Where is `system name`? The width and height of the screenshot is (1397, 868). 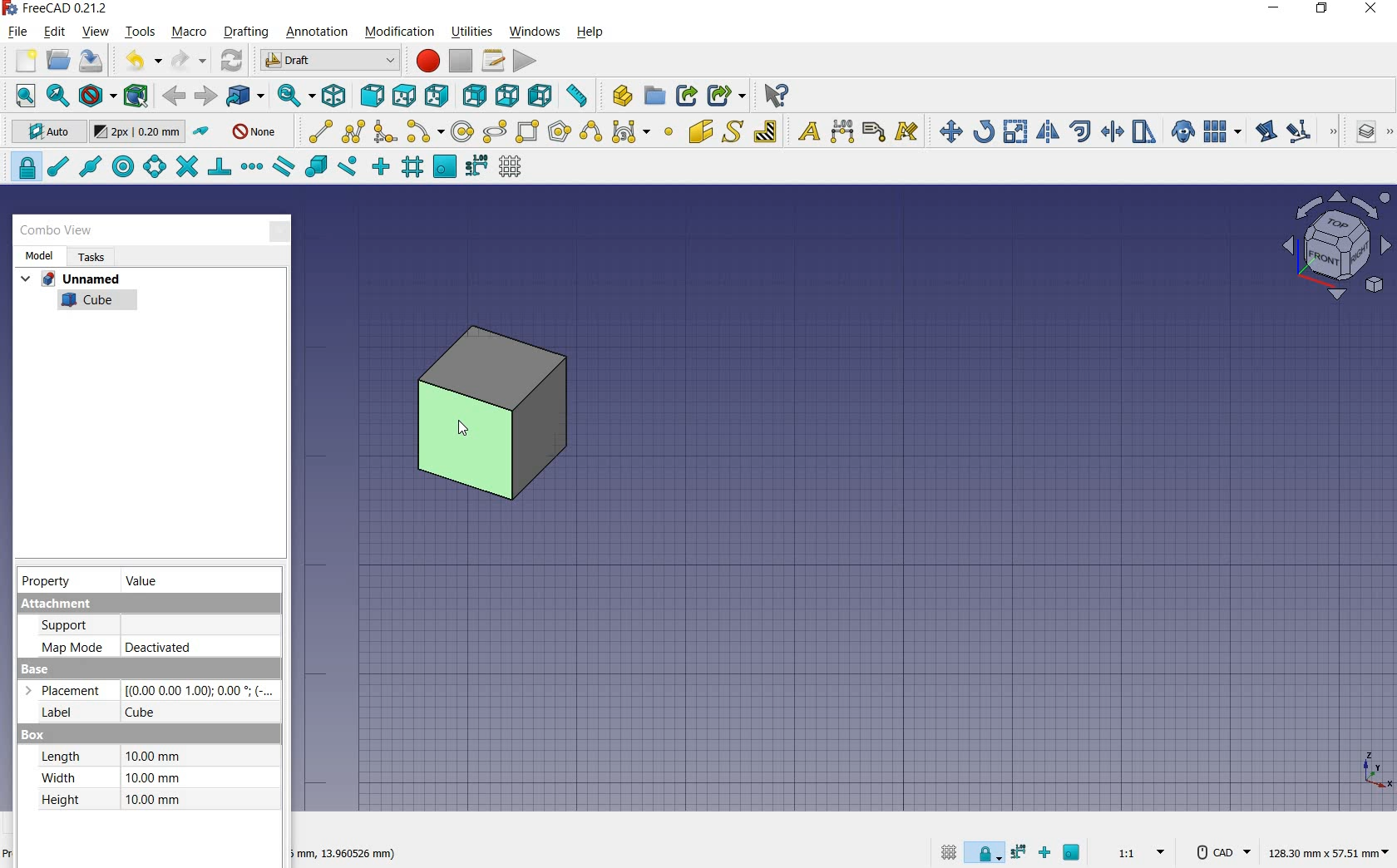 system name is located at coordinates (57, 8).